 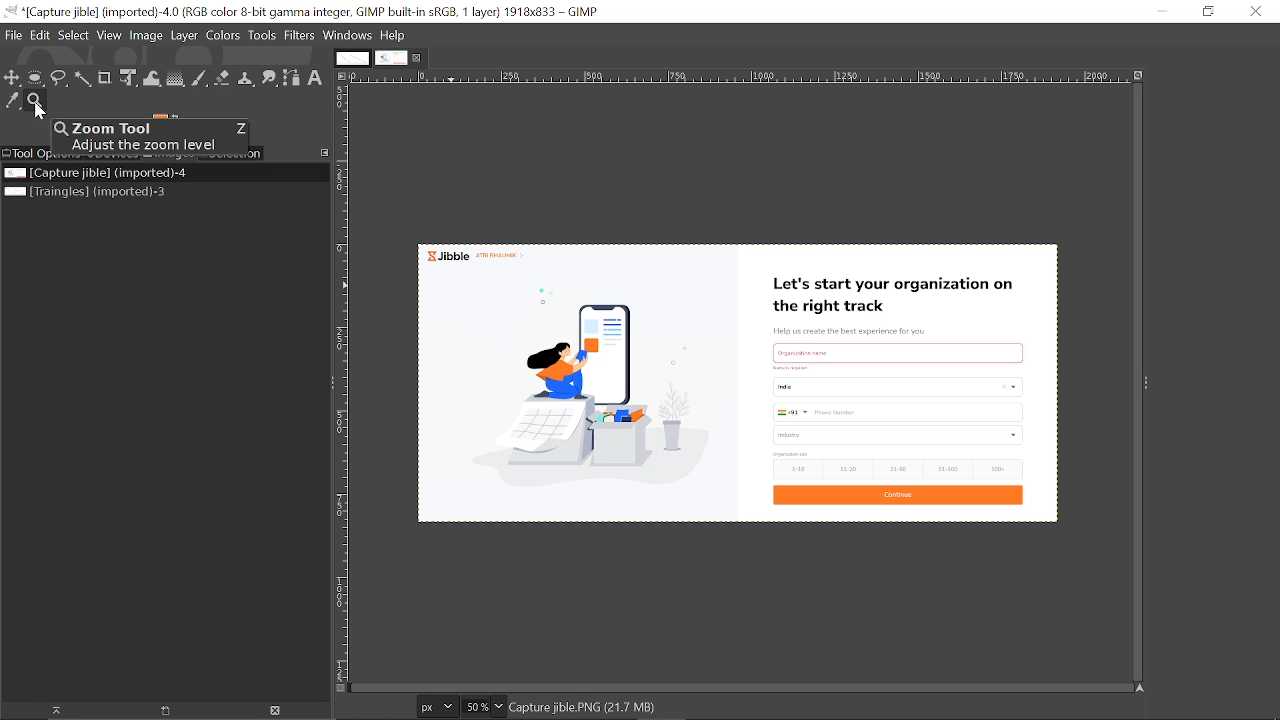 I want to click on zoom tool popup, so click(x=151, y=136).